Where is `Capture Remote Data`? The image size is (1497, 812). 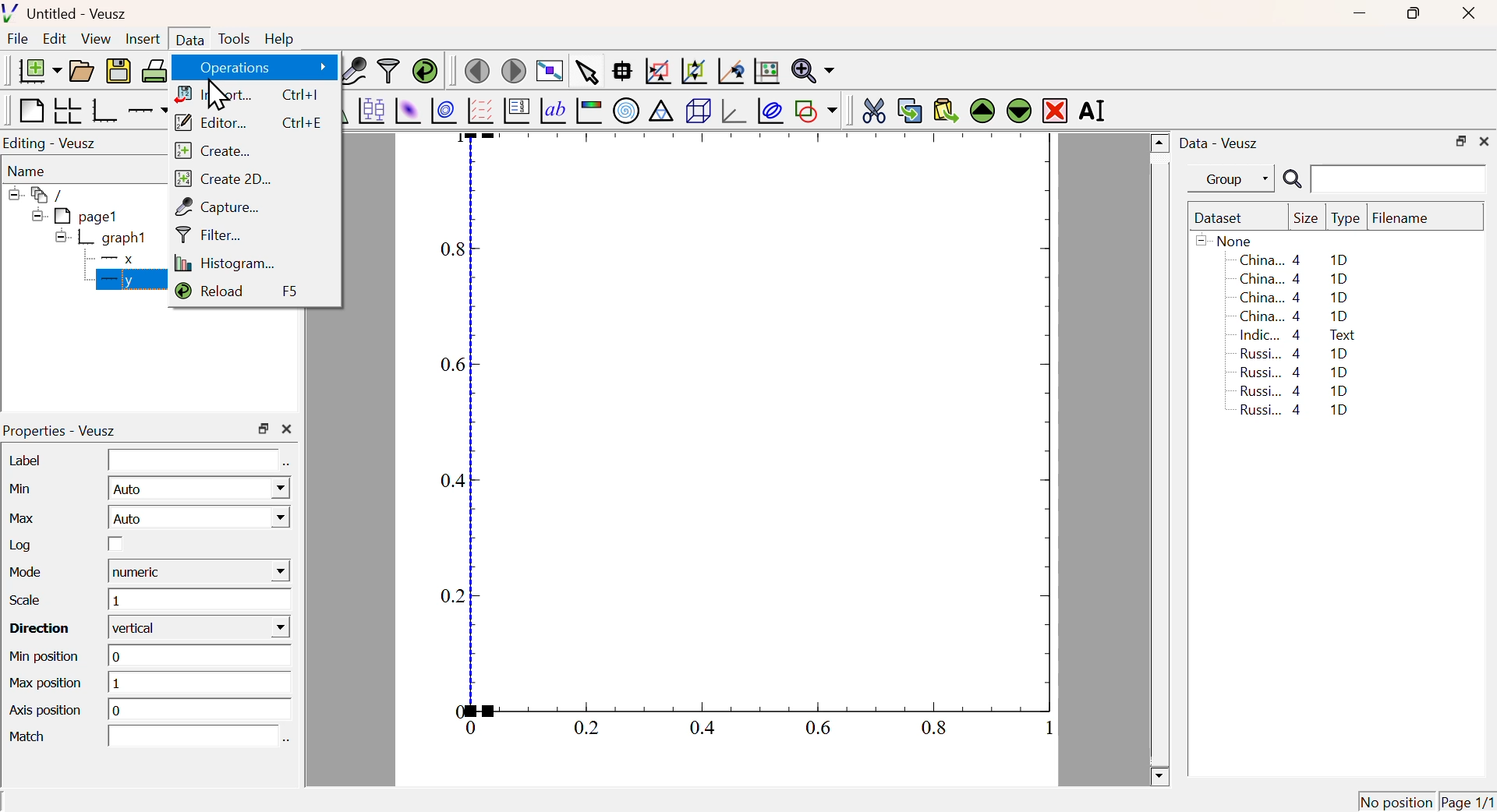 Capture Remote Data is located at coordinates (354, 69).